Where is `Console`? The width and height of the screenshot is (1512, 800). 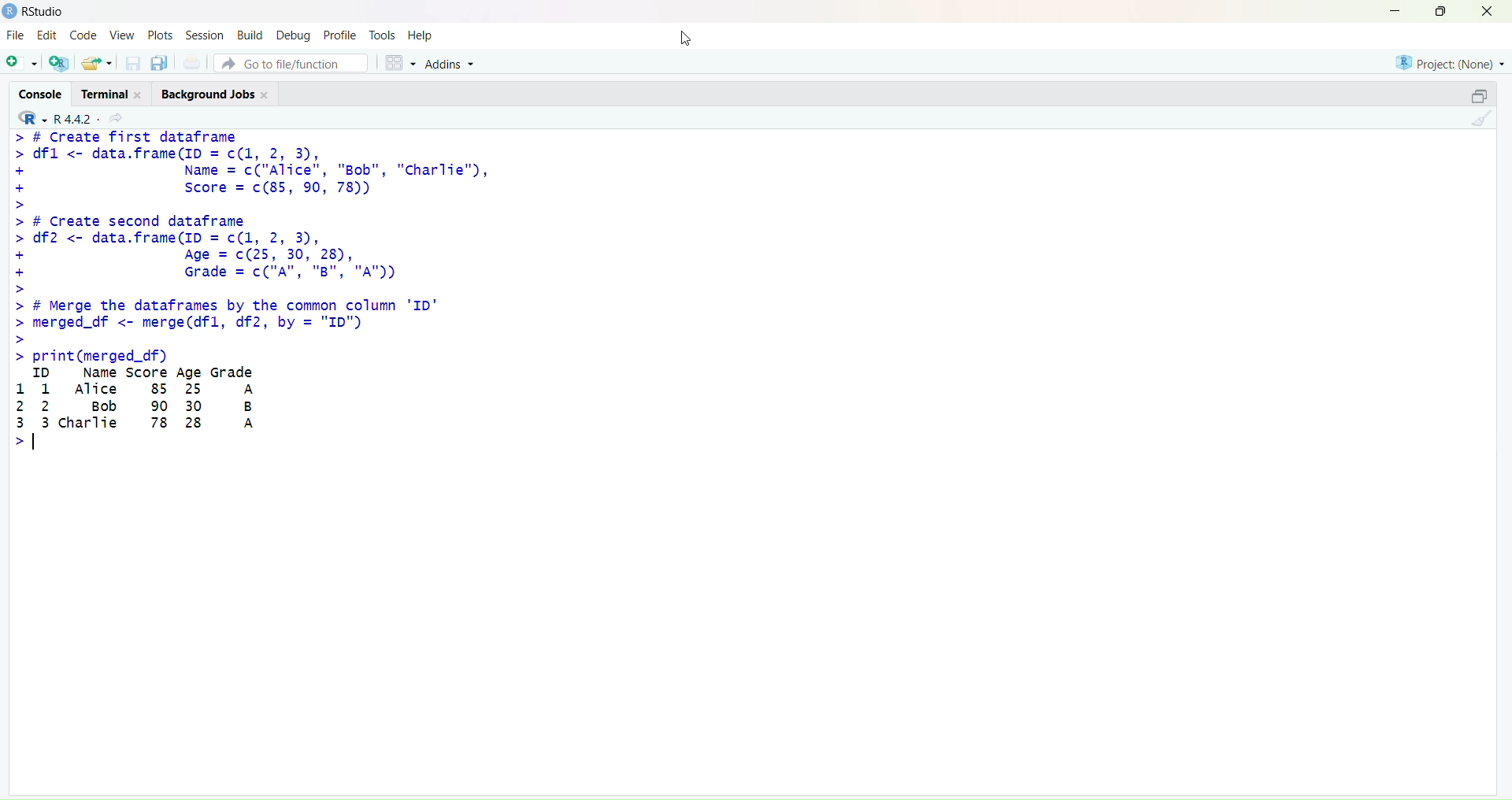
Console is located at coordinates (41, 93).